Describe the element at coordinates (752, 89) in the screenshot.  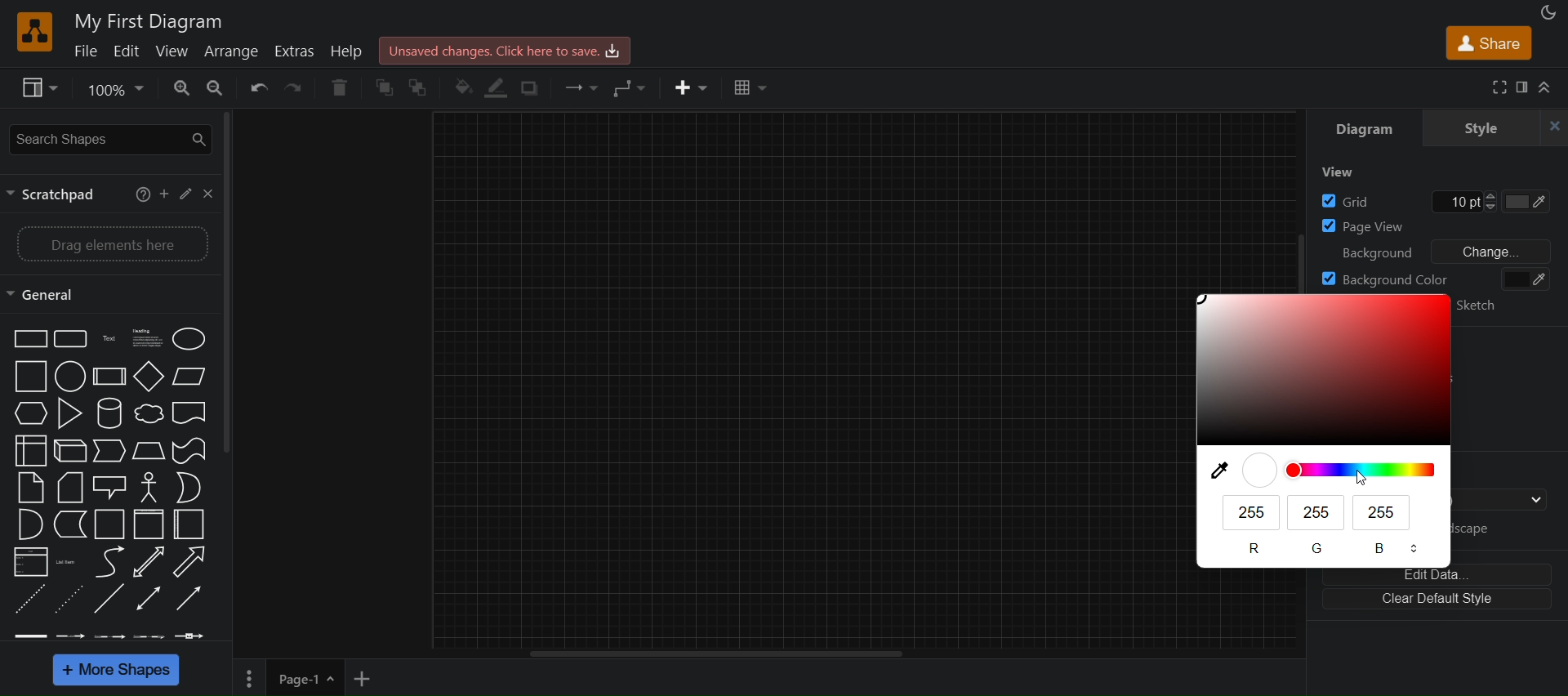
I see `table` at that location.